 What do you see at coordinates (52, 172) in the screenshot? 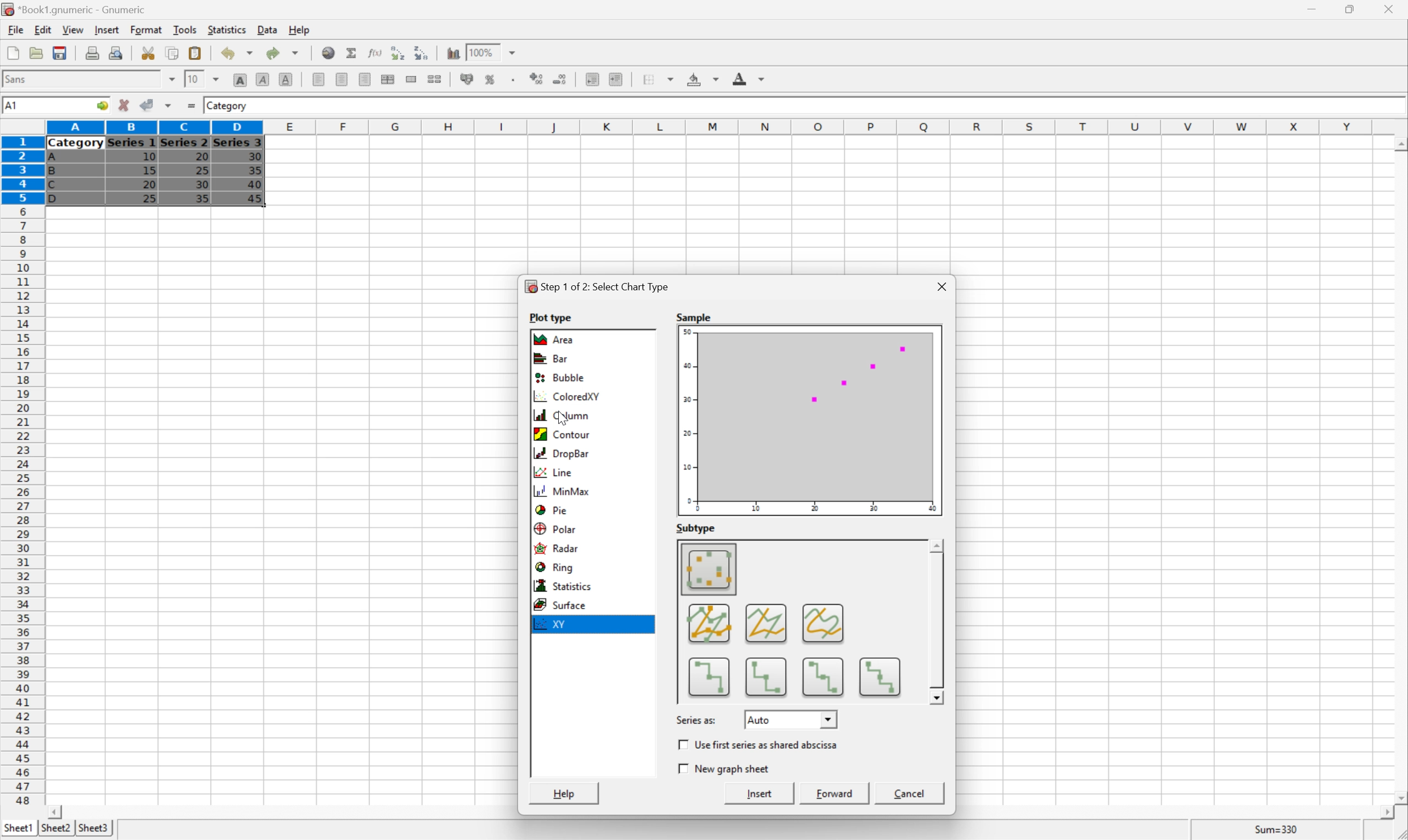
I see `B` at bounding box center [52, 172].